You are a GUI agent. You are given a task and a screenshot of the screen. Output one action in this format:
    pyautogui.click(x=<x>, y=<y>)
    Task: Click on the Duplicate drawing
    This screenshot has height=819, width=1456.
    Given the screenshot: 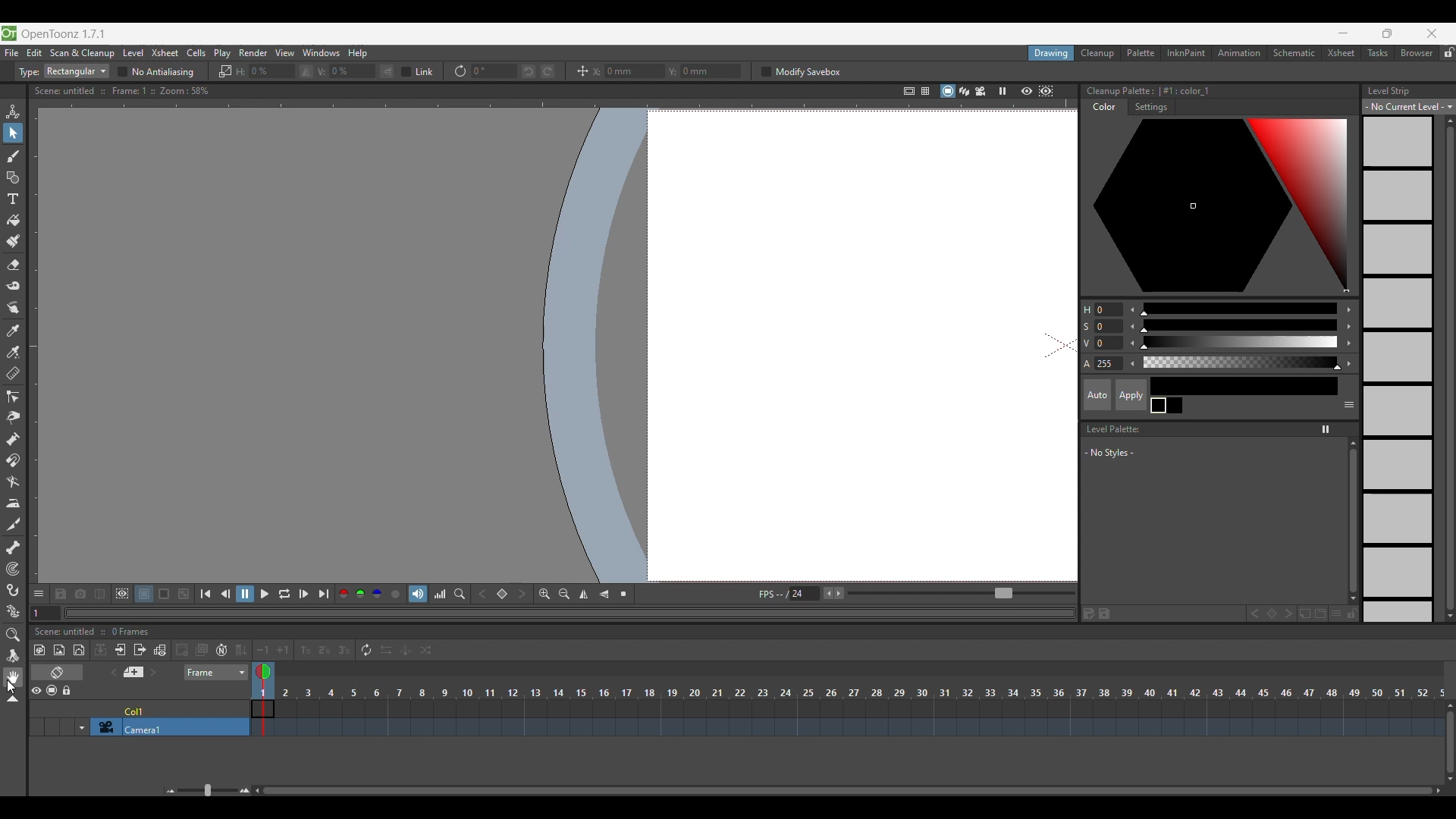 What is the action you would take?
    pyautogui.click(x=202, y=650)
    